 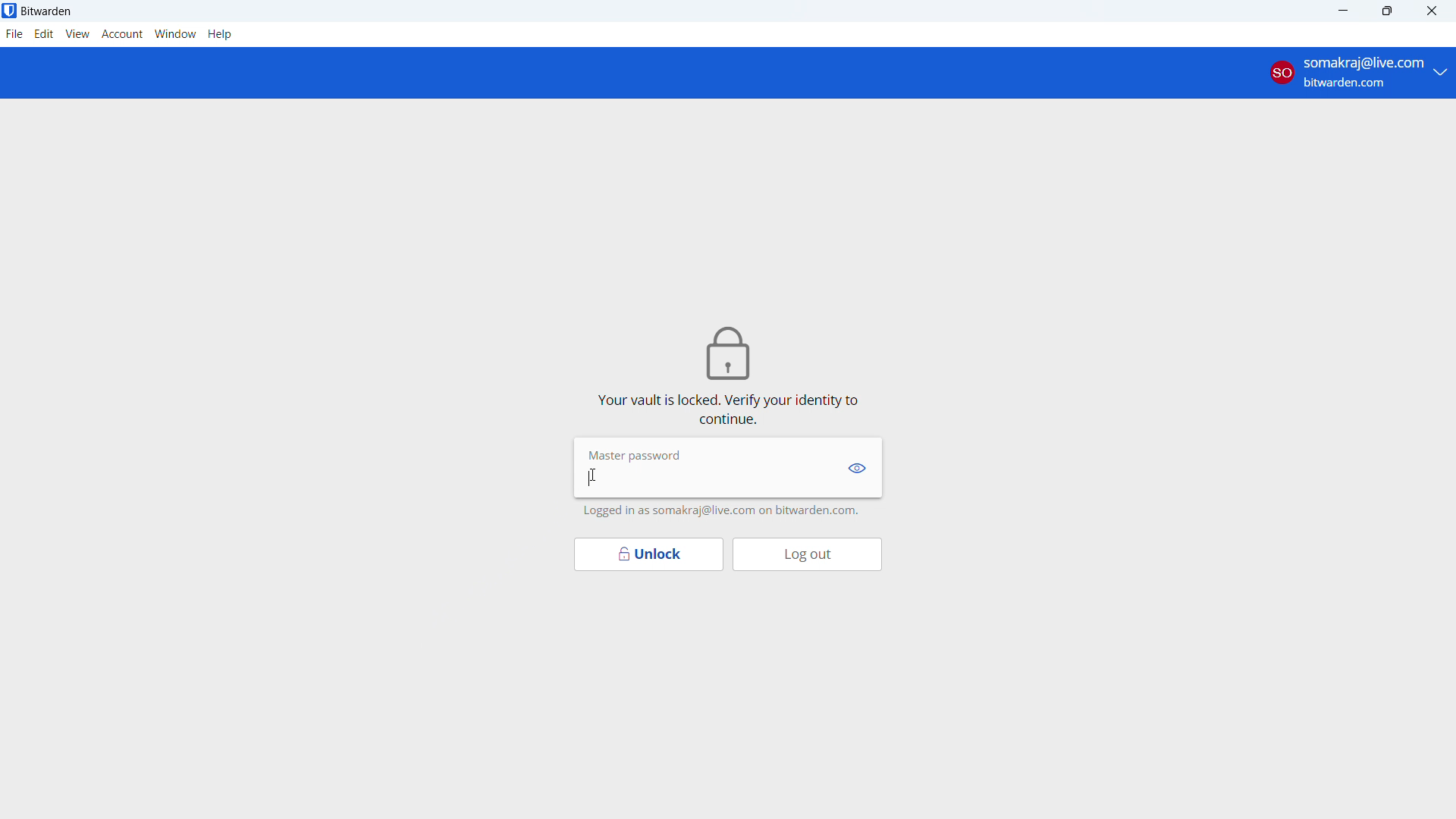 What do you see at coordinates (709, 478) in the screenshot?
I see `enter master password` at bounding box center [709, 478].